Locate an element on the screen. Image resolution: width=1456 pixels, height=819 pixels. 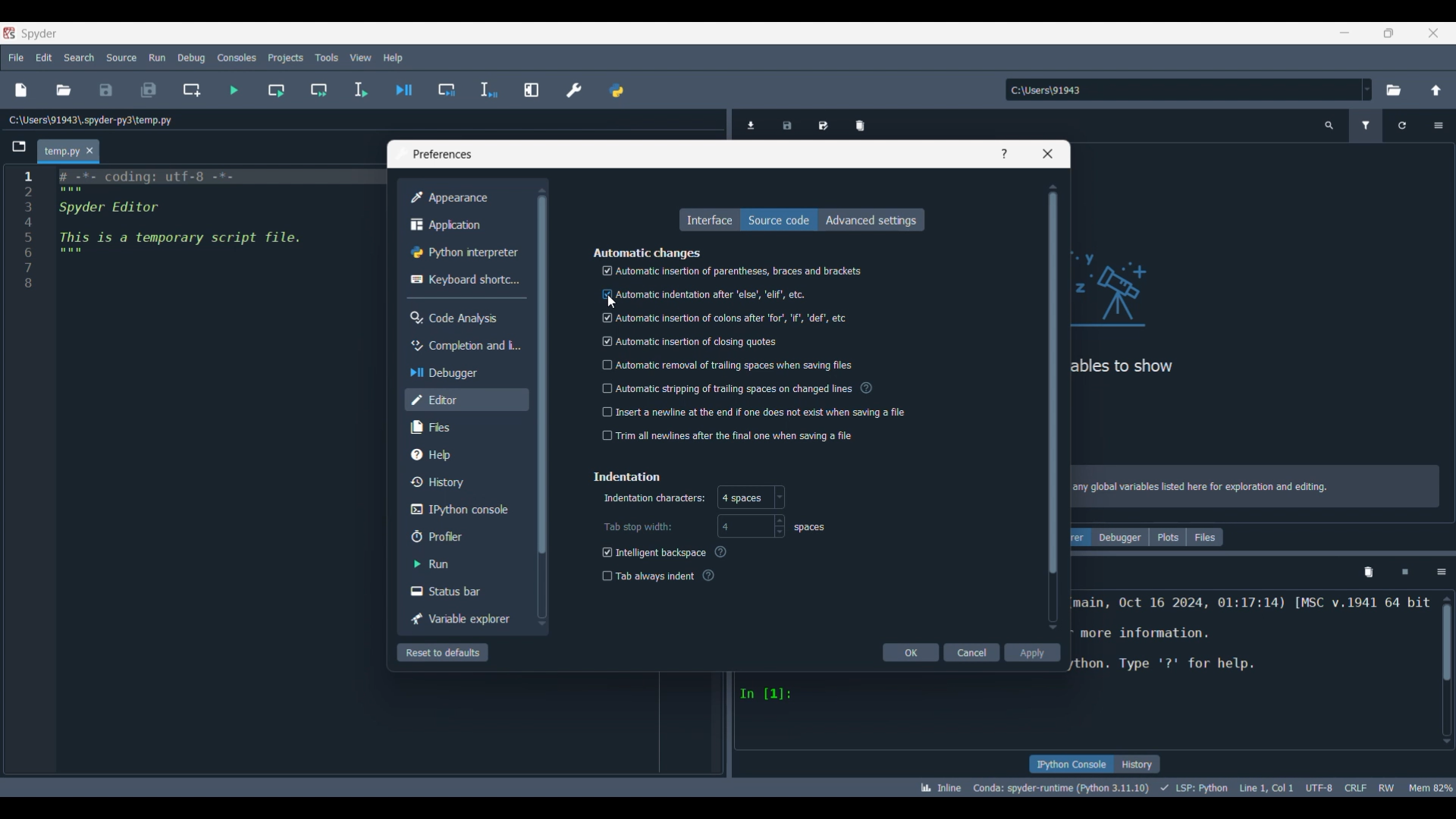
cursor is located at coordinates (612, 303).